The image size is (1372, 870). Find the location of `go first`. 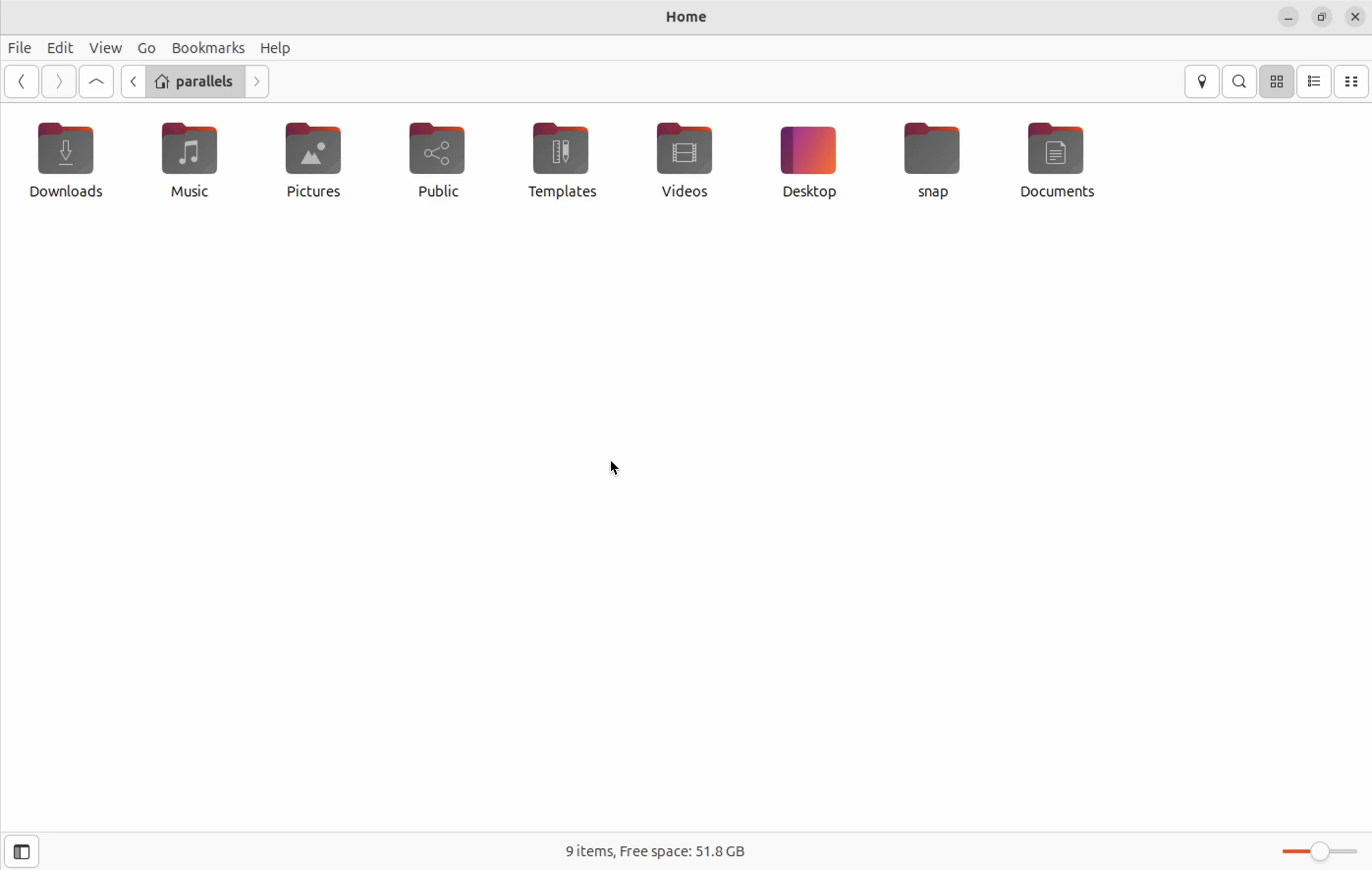

go first is located at coordinates (96, 81).